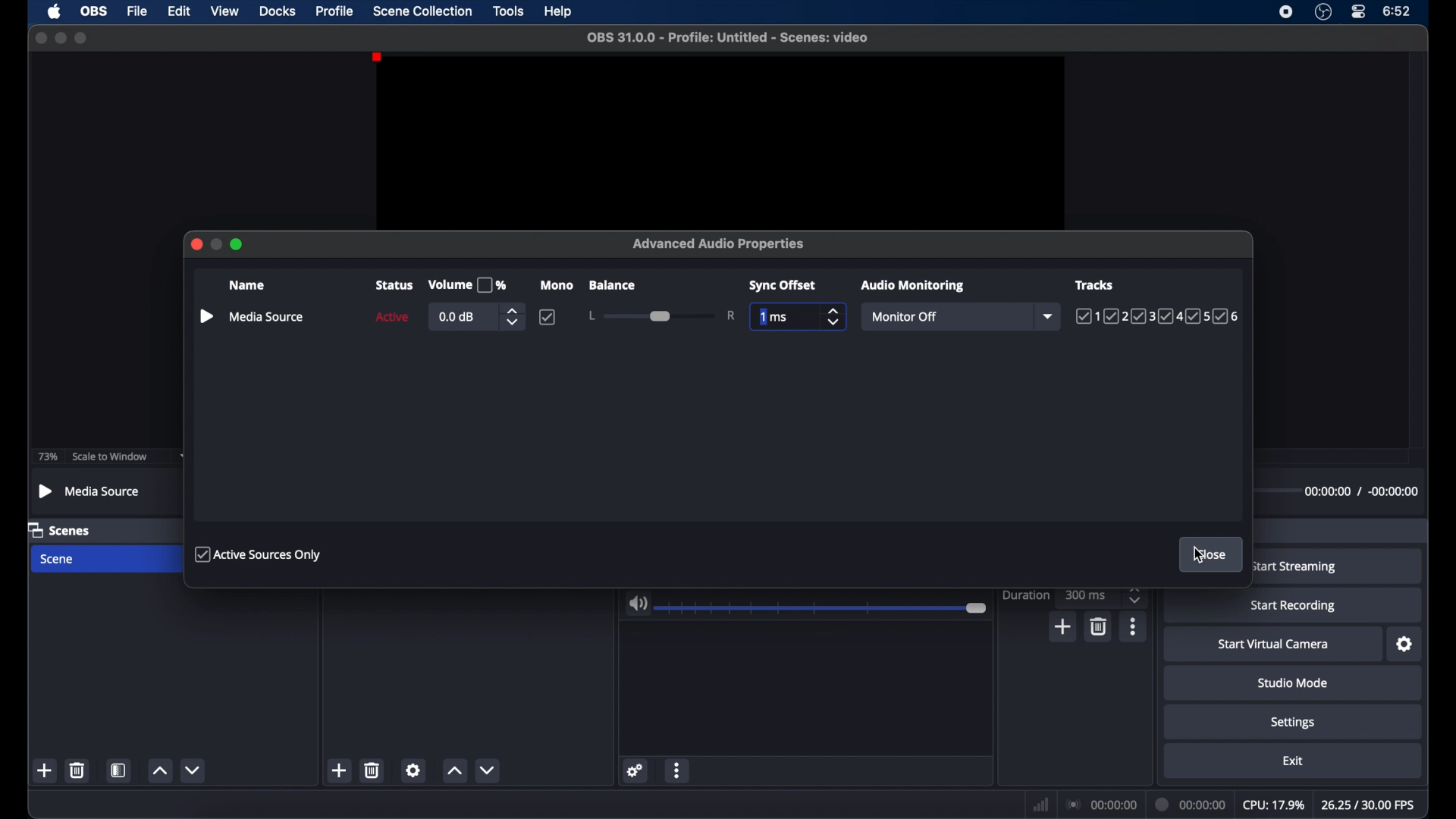 Image resolution: width=1456 pixels, height=819 pixels. Describe the element at coordinates (467, 286) in the screenshot. I see `volume ` at that location.